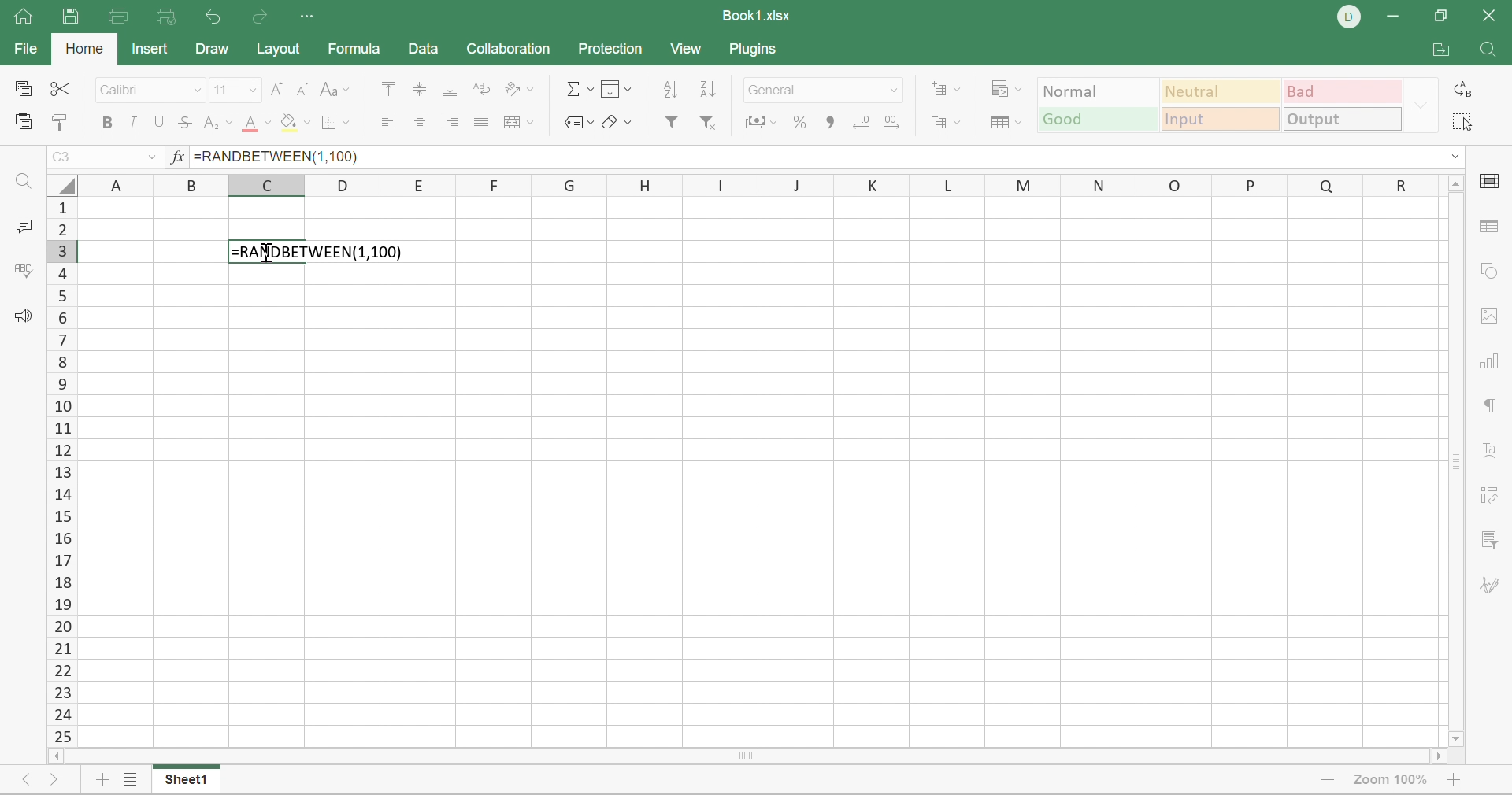  Describe the element at coordinates (799, 120) in the screenshot. I see `Percent style` at that location.